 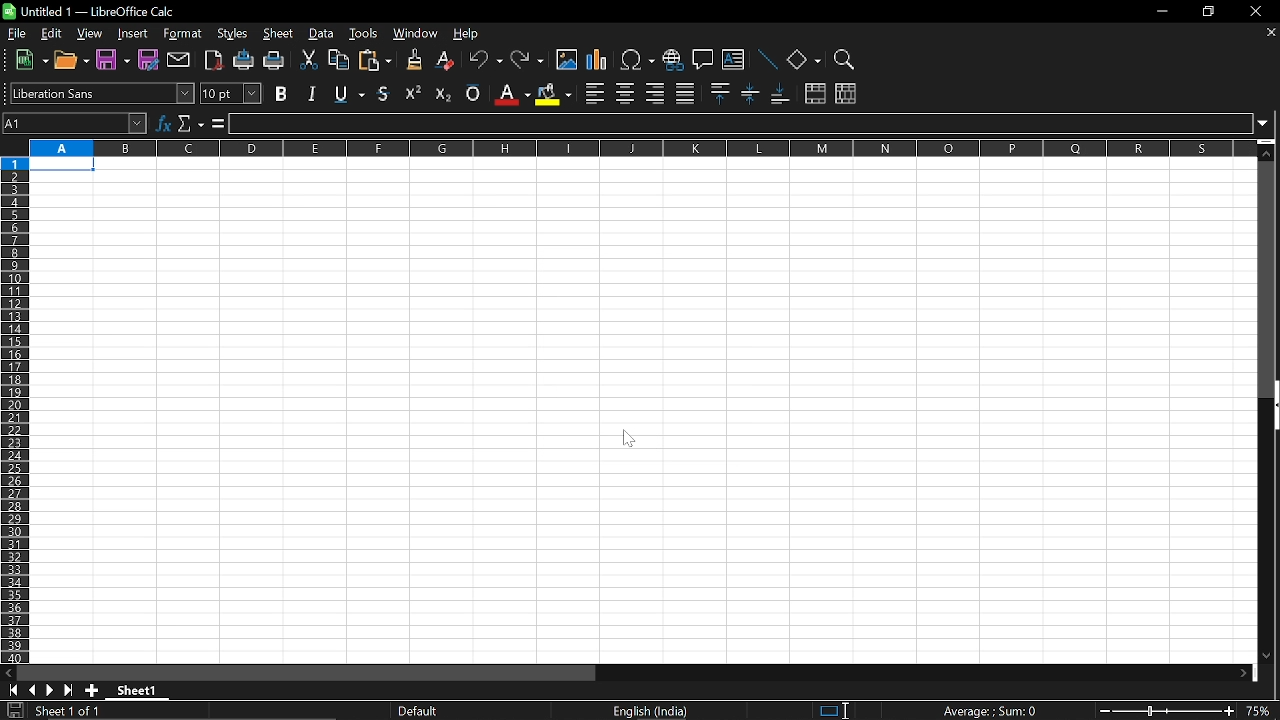 What do you see at coordinates (76, 123) in the screenshot?
I see `name box` at bounding box center [76, 123].